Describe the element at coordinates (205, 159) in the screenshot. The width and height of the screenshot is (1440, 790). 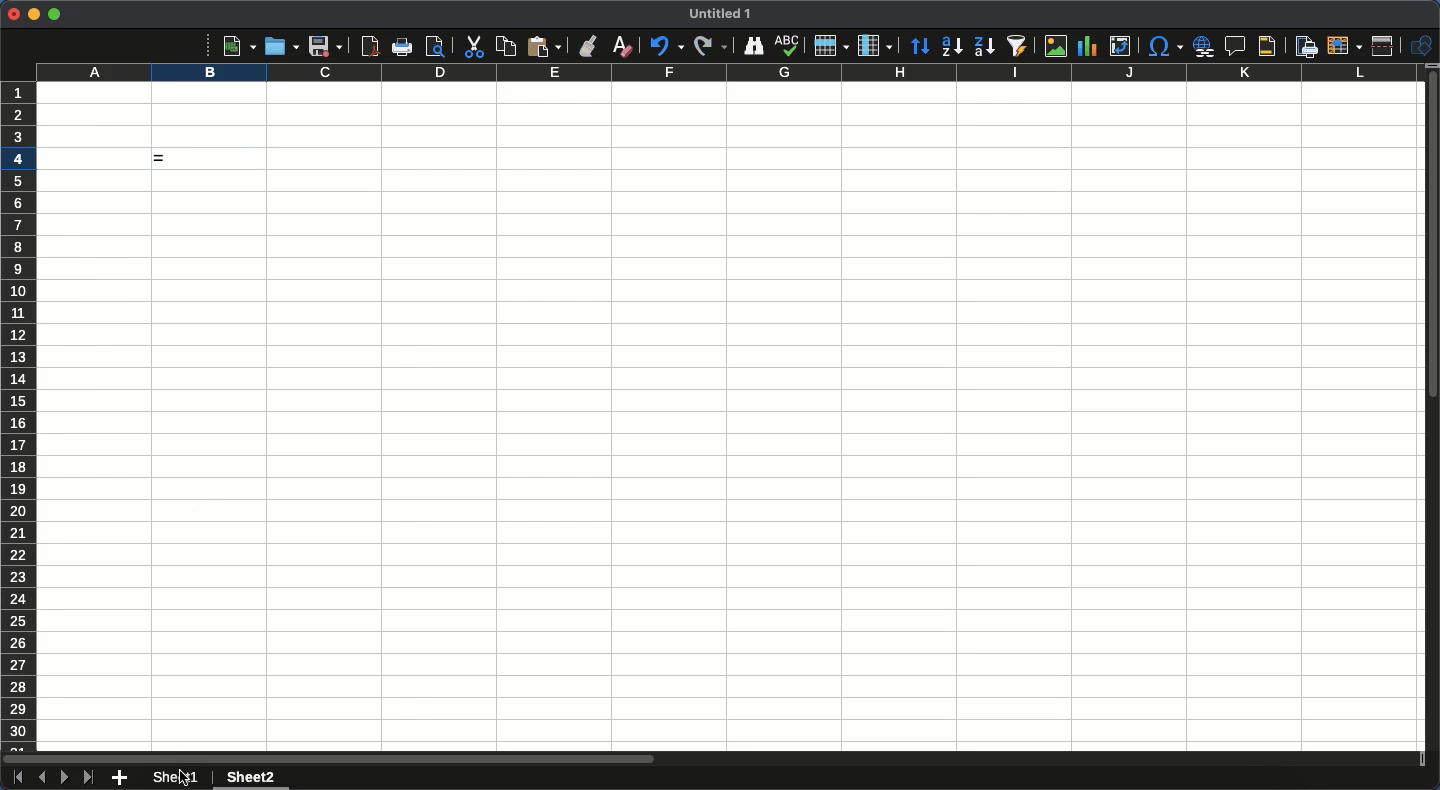
I see `=` at that location.